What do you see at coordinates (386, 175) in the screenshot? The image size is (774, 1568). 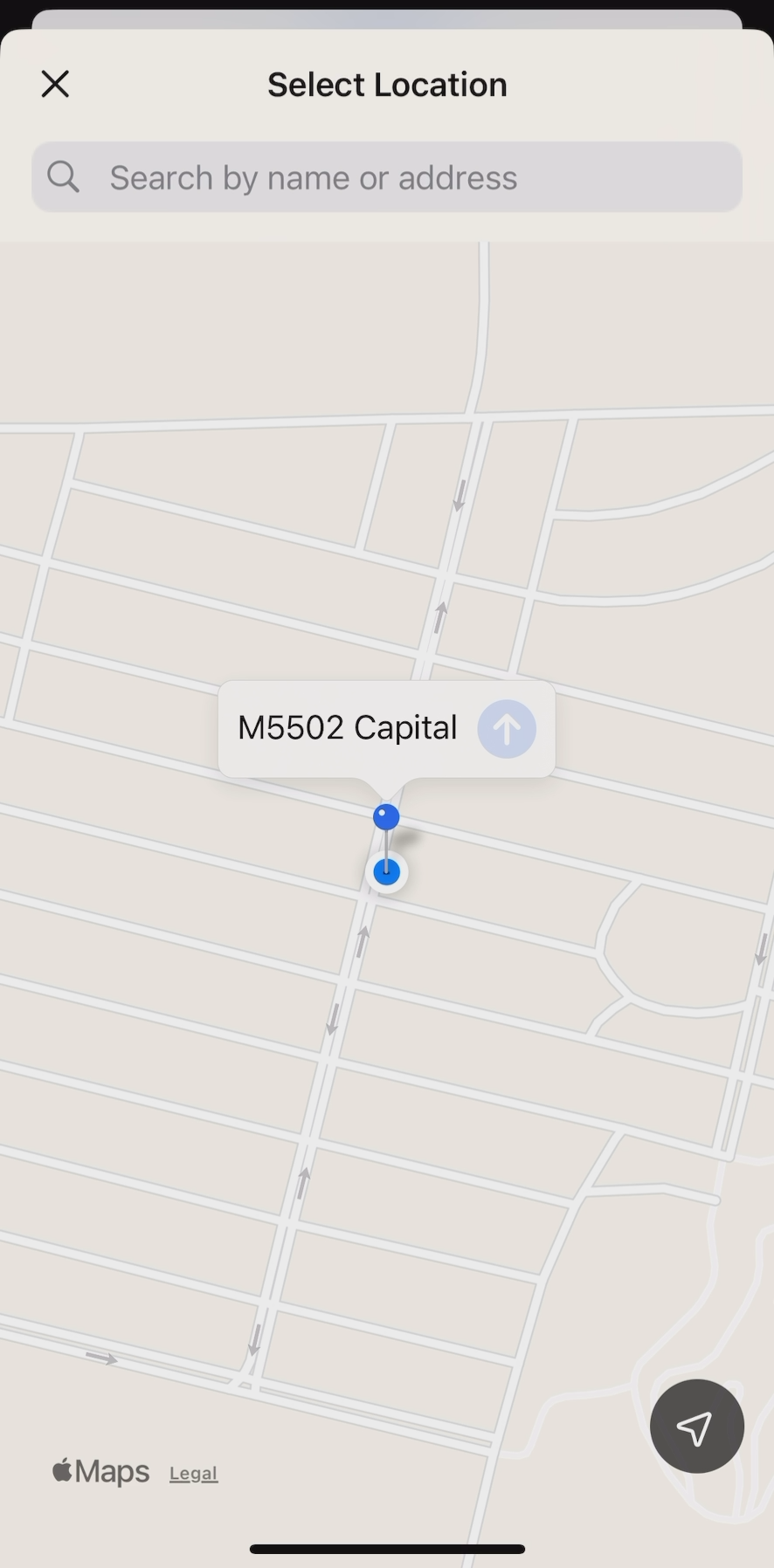 I see `search map location by name or address` at bounding box center [386, 175].